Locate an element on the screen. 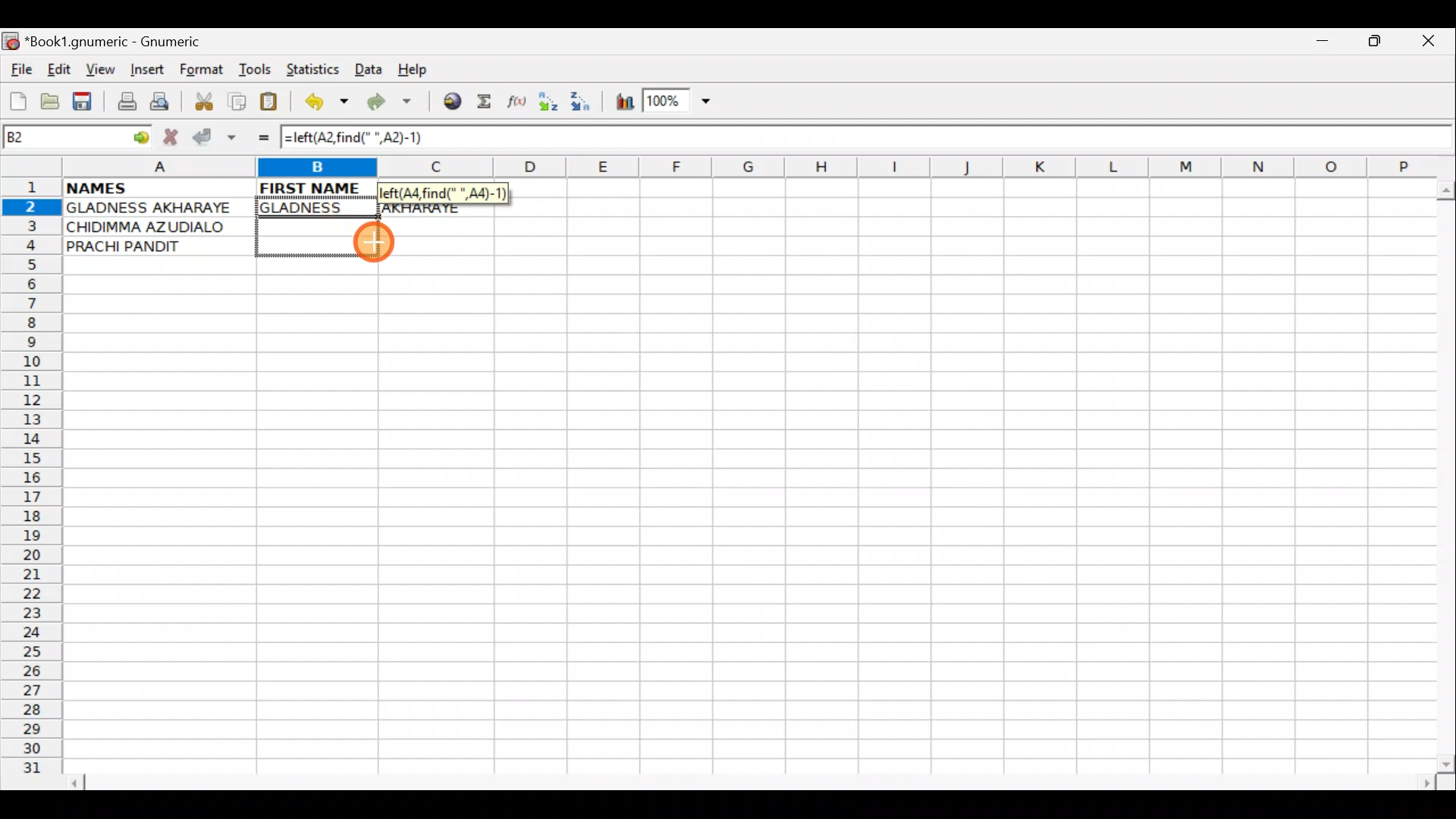 The height and width of the screenshot is (819, 1456). Tools is located at coordinates (256, 70).